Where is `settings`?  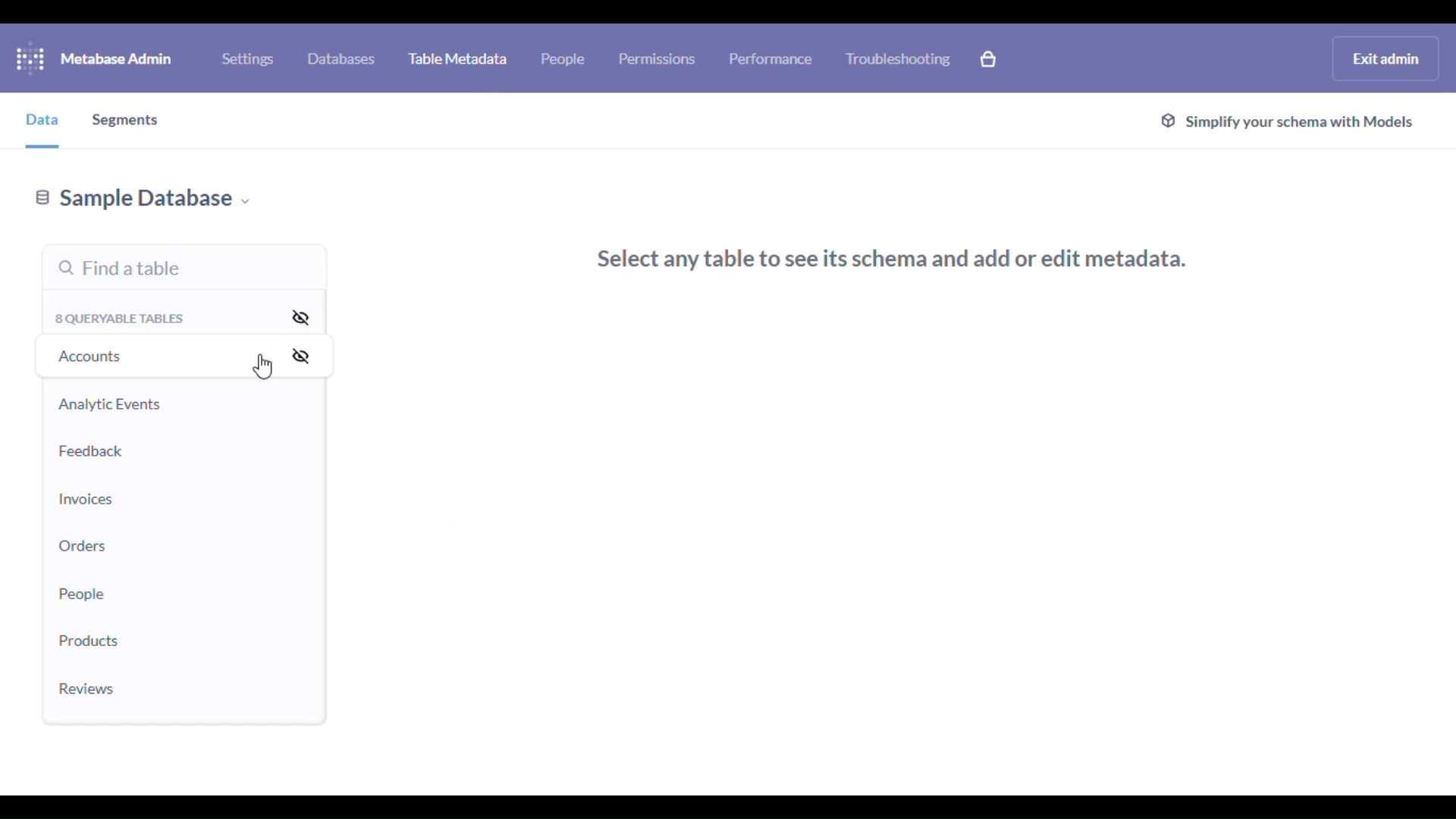
settings is located at coordinates (247, 59).